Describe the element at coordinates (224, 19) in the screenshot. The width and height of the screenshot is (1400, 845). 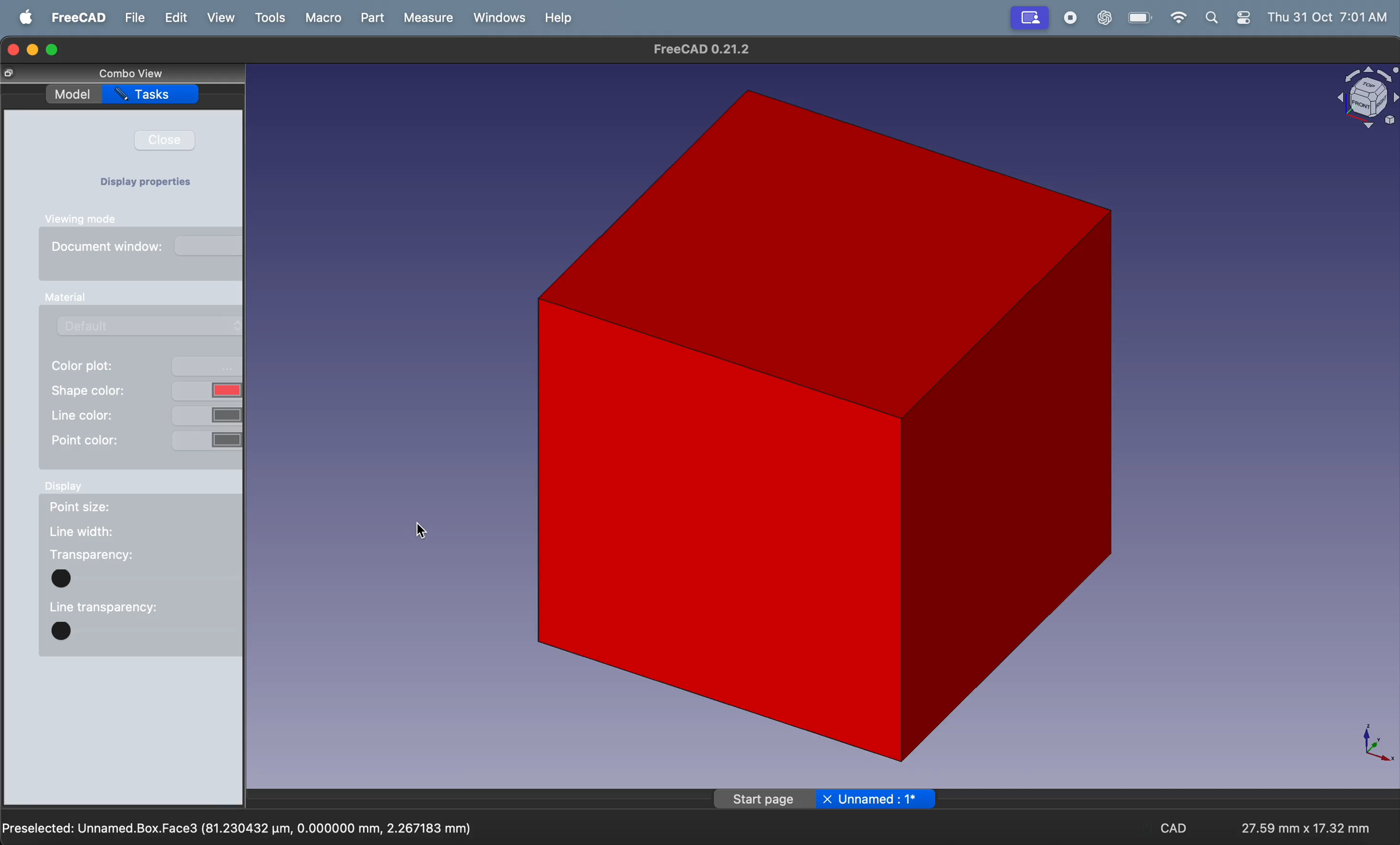
I see `view` at that location.